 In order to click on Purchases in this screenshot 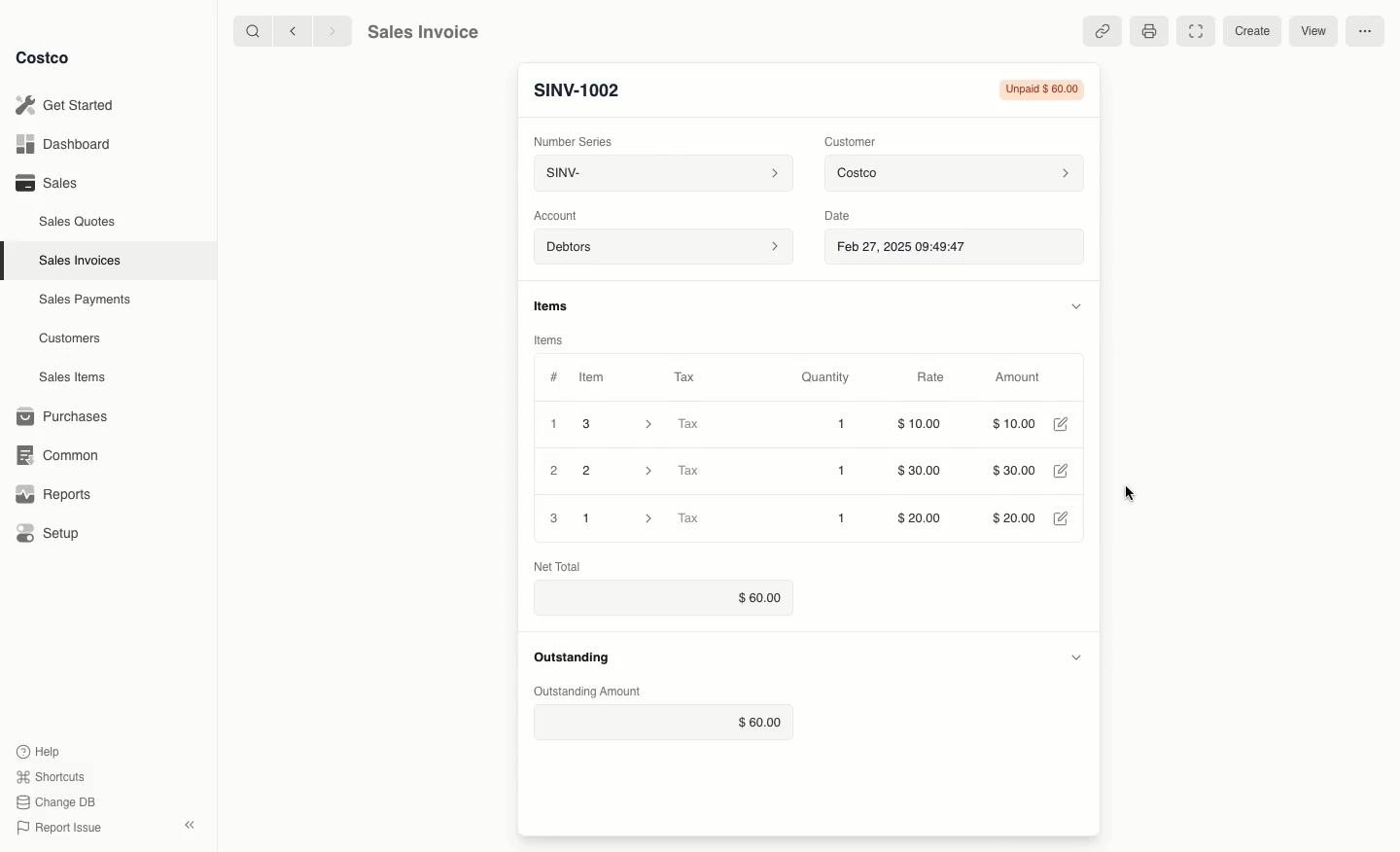, I will do `click(63, 416)`.